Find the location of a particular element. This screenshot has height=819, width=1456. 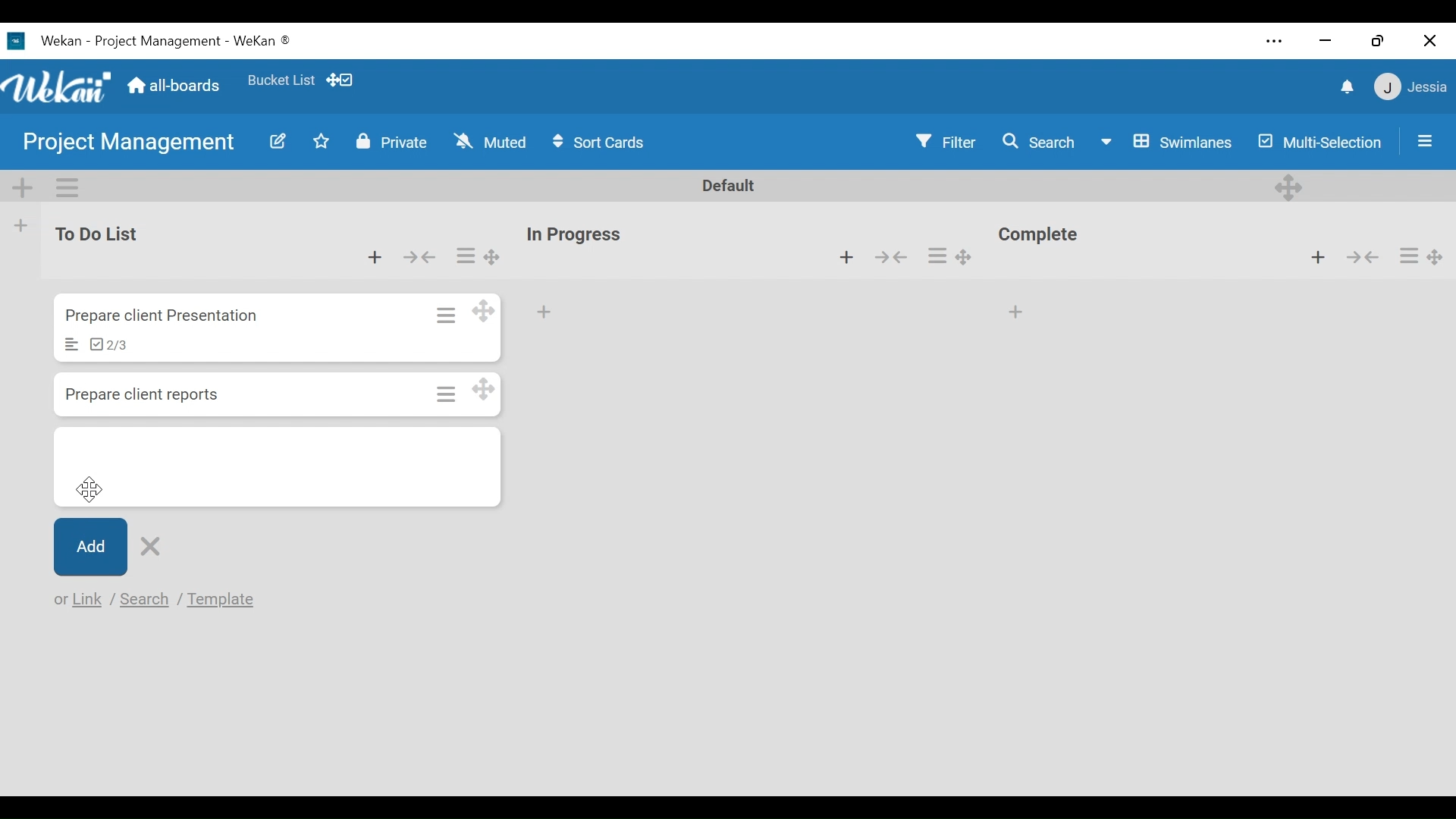

Toggle favorites is located at coordinates (322, 144).